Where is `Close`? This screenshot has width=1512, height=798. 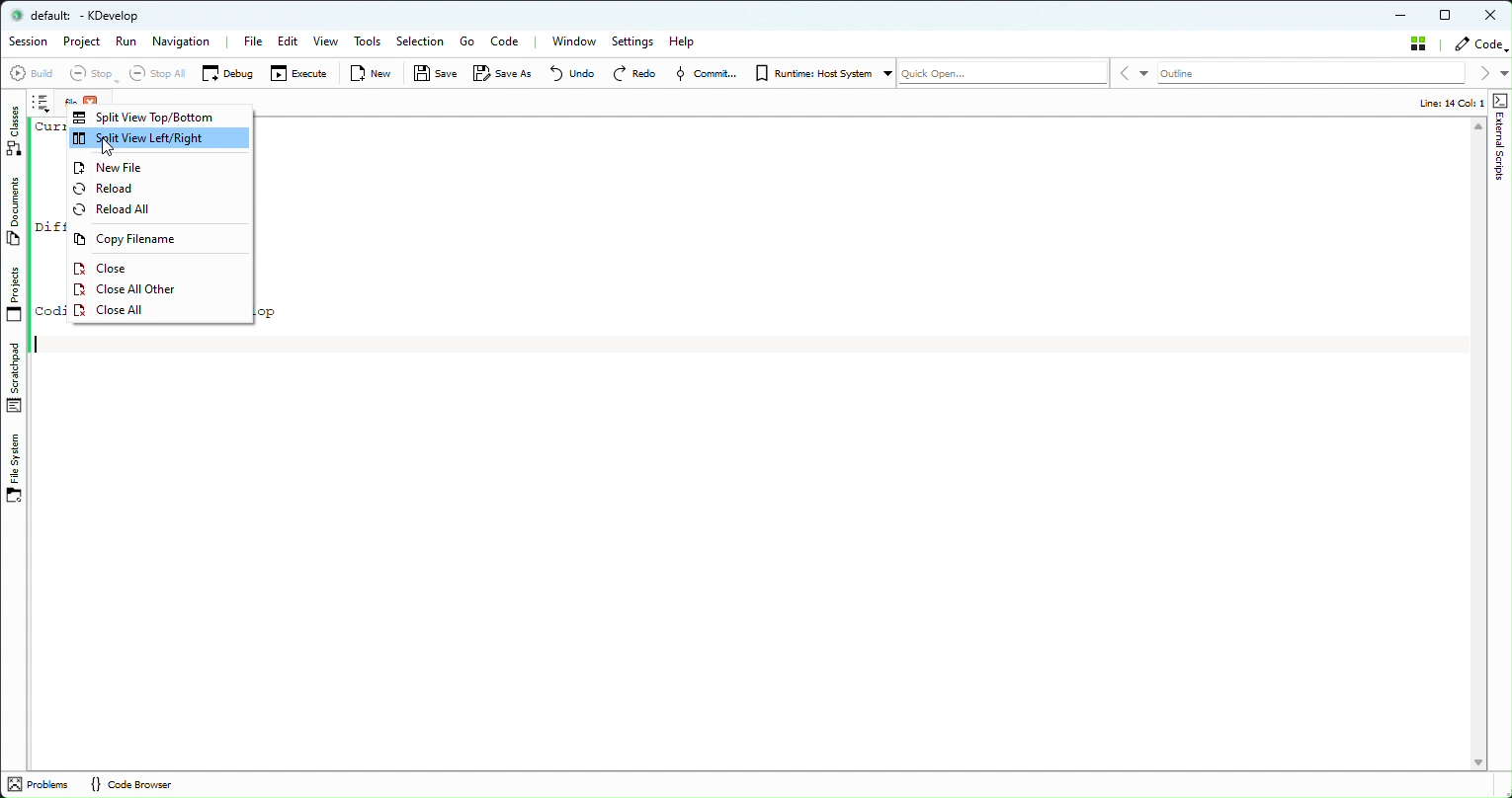 Close is located at coordinates (1489, 14).